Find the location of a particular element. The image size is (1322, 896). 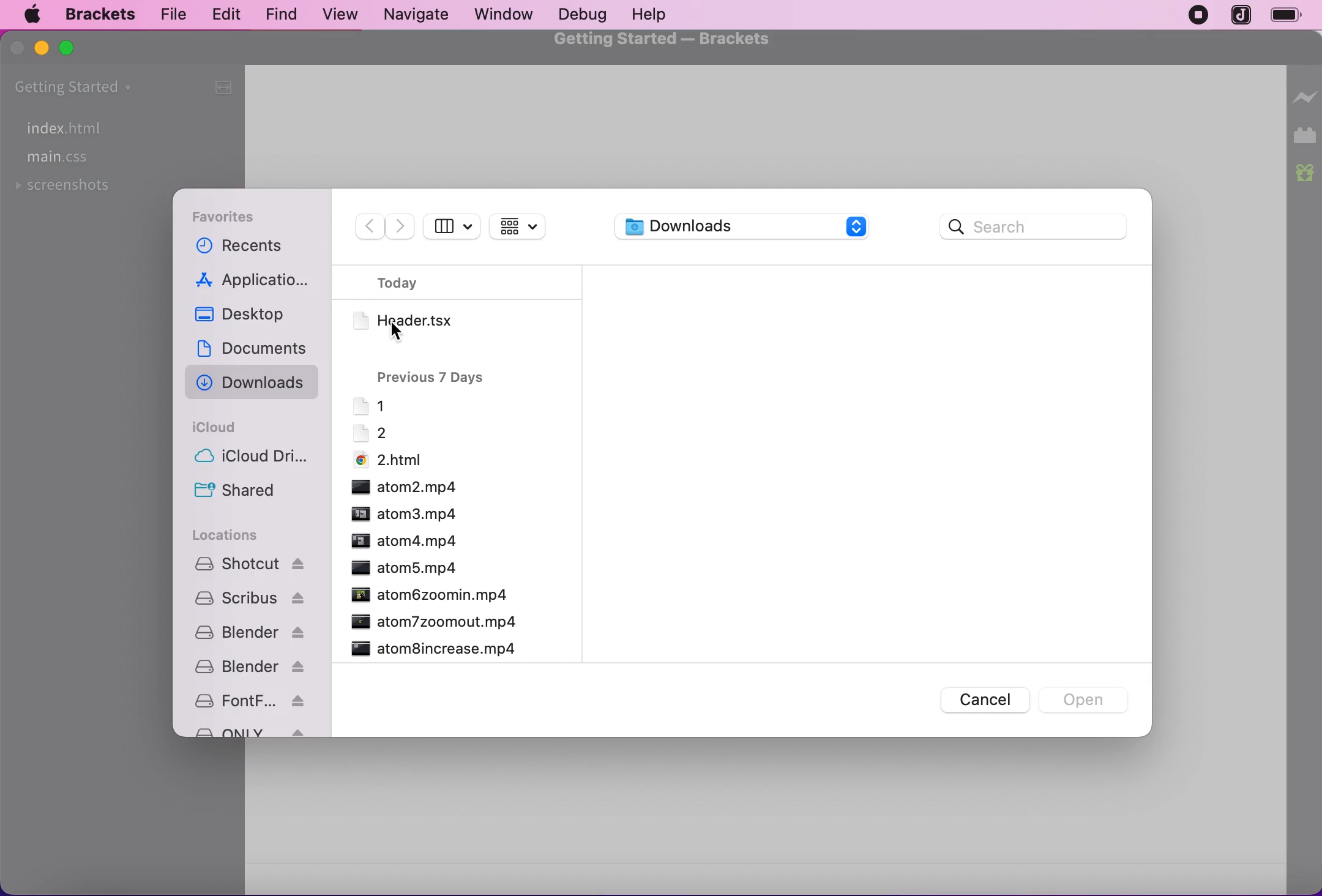

search is located at coordinates (1036, 225).